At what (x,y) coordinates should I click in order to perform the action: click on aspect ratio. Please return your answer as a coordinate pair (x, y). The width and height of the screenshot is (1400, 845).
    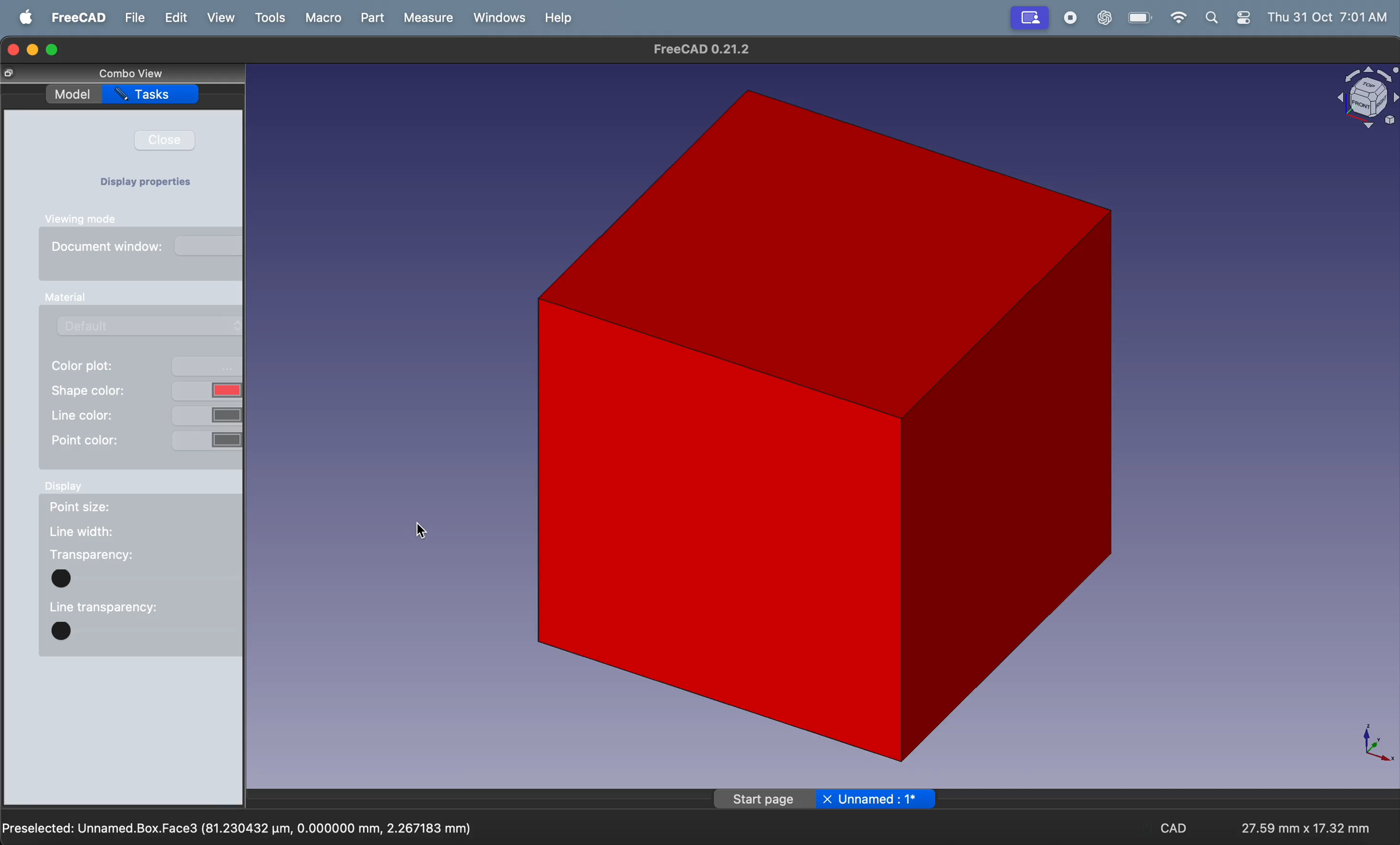
    Looking at the image, I should click on (1301, 823).